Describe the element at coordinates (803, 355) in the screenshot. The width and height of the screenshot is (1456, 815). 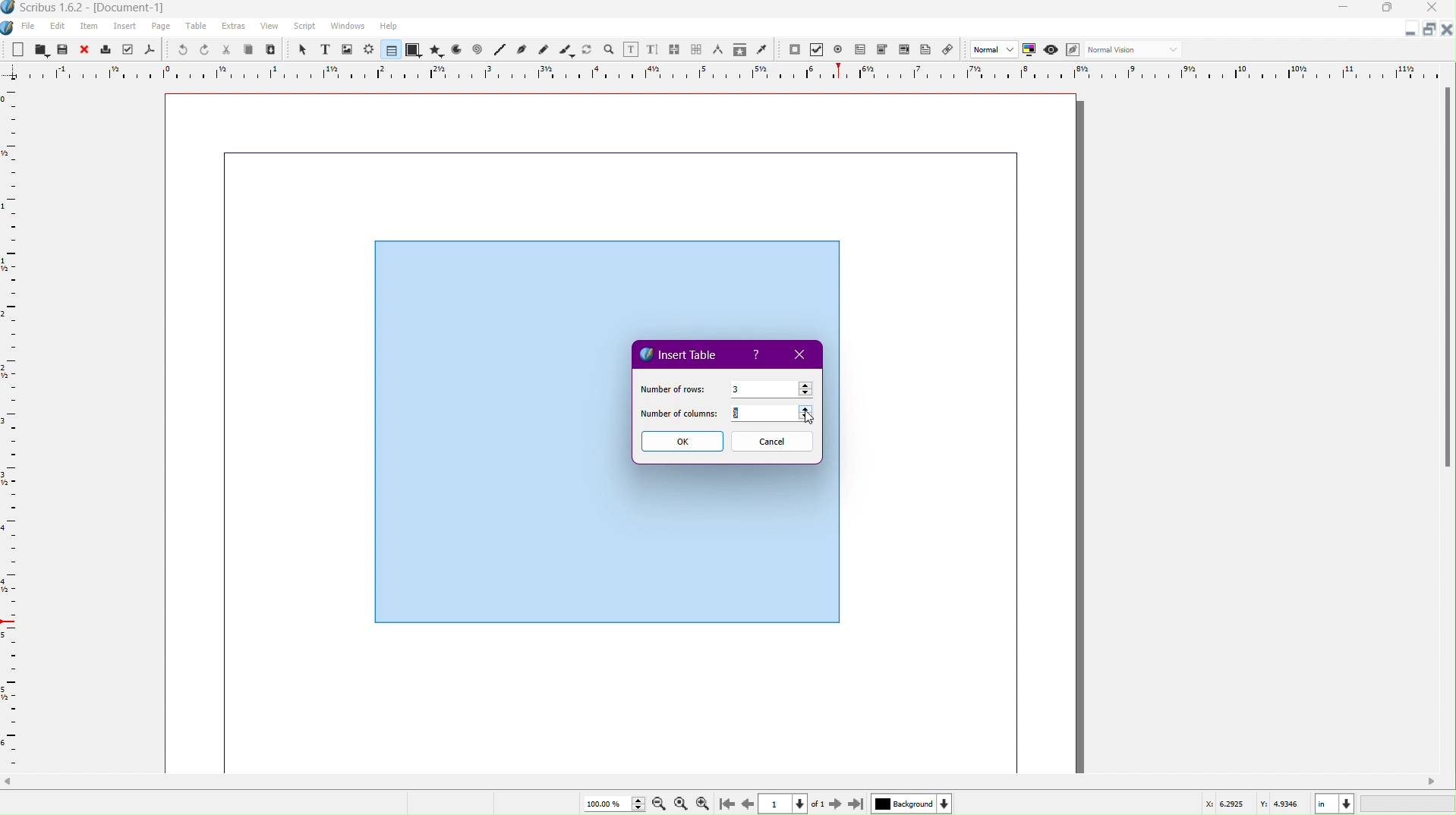
I see `Close` at that location.